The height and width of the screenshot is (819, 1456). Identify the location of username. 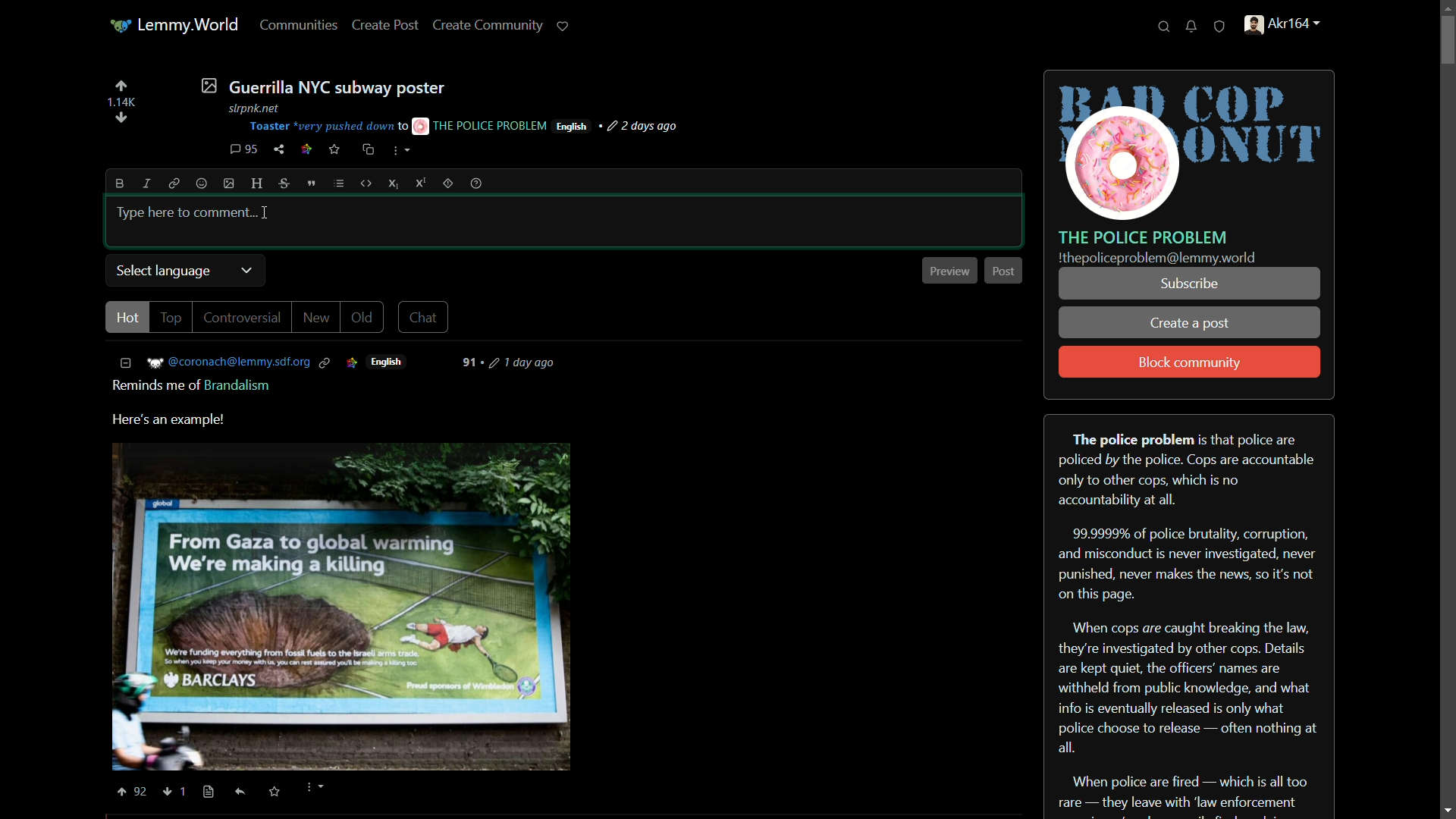
(229, 362).